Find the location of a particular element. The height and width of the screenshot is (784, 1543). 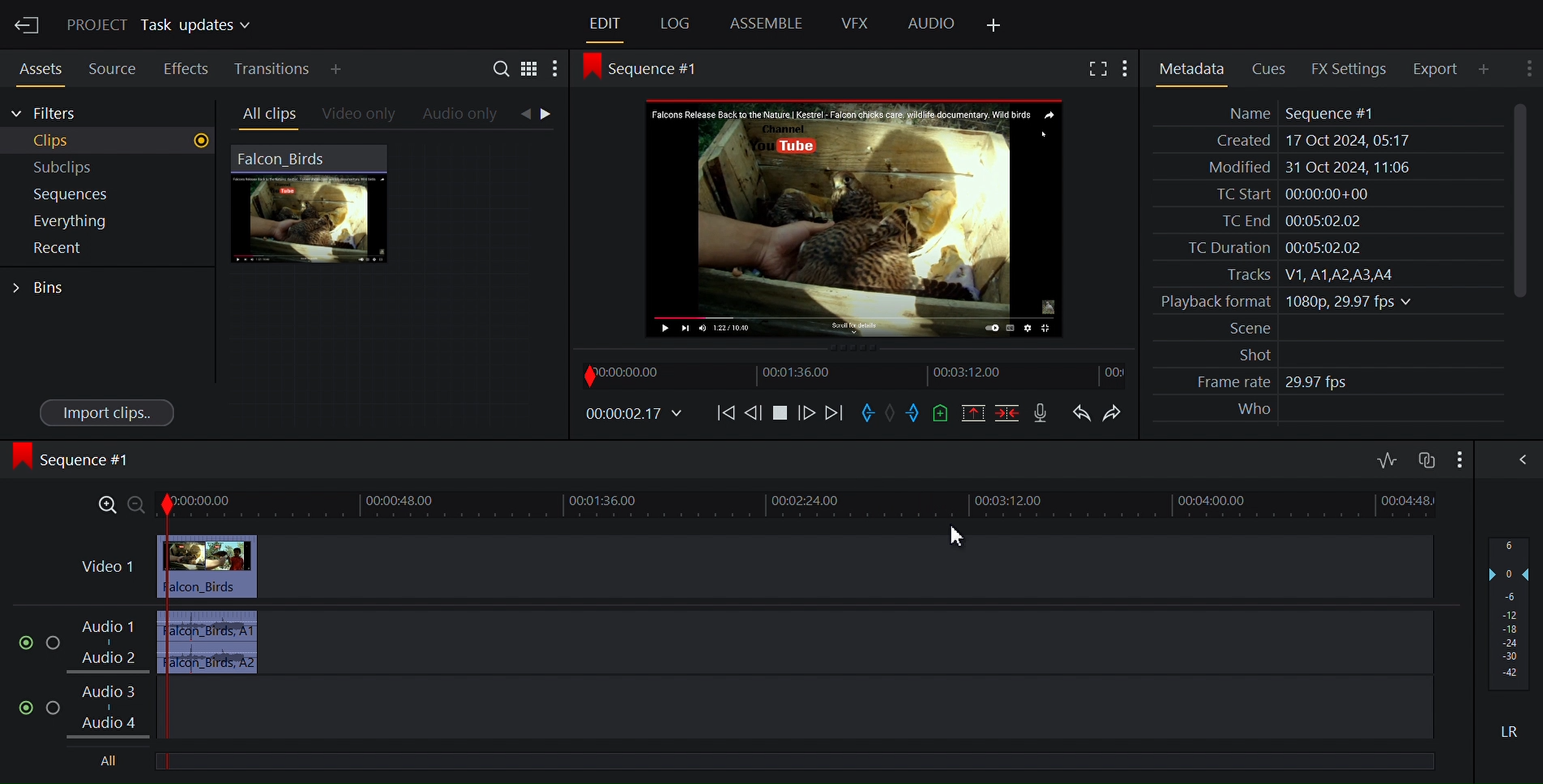

Bins is located at coordinates (47, 286).